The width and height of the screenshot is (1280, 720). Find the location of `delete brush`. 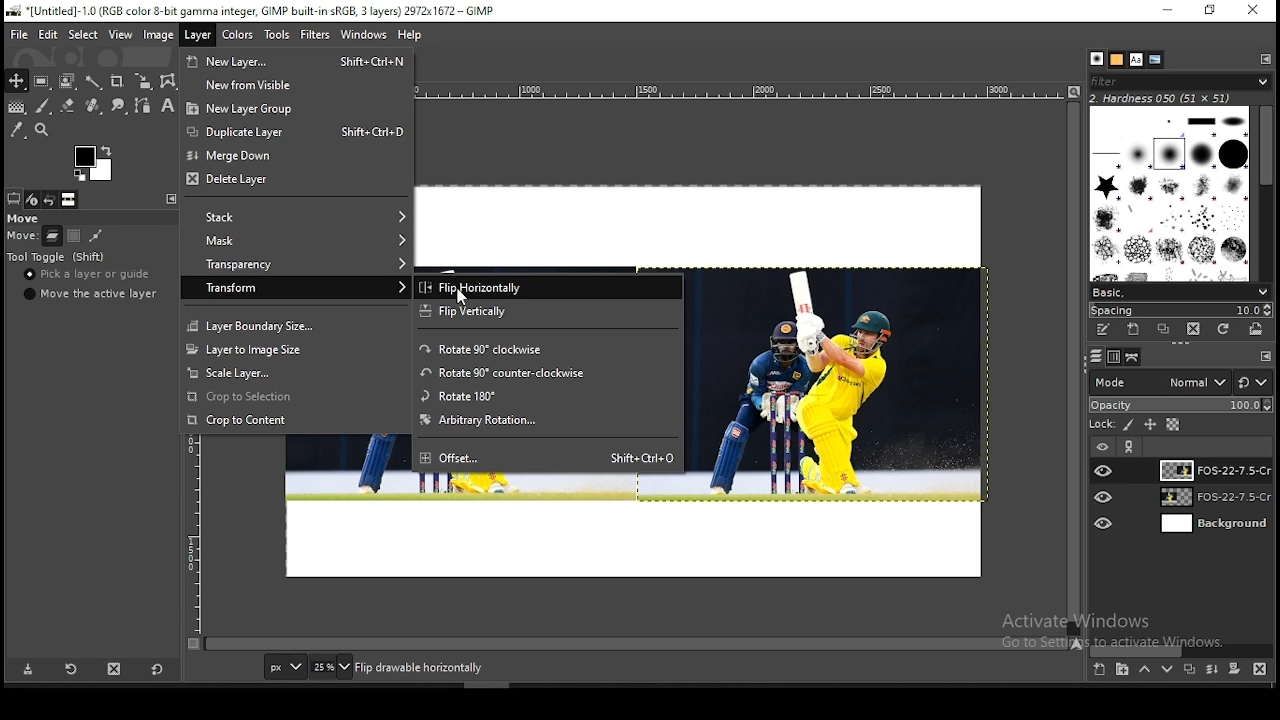

delete brush is located at coordinates (1193, 329).